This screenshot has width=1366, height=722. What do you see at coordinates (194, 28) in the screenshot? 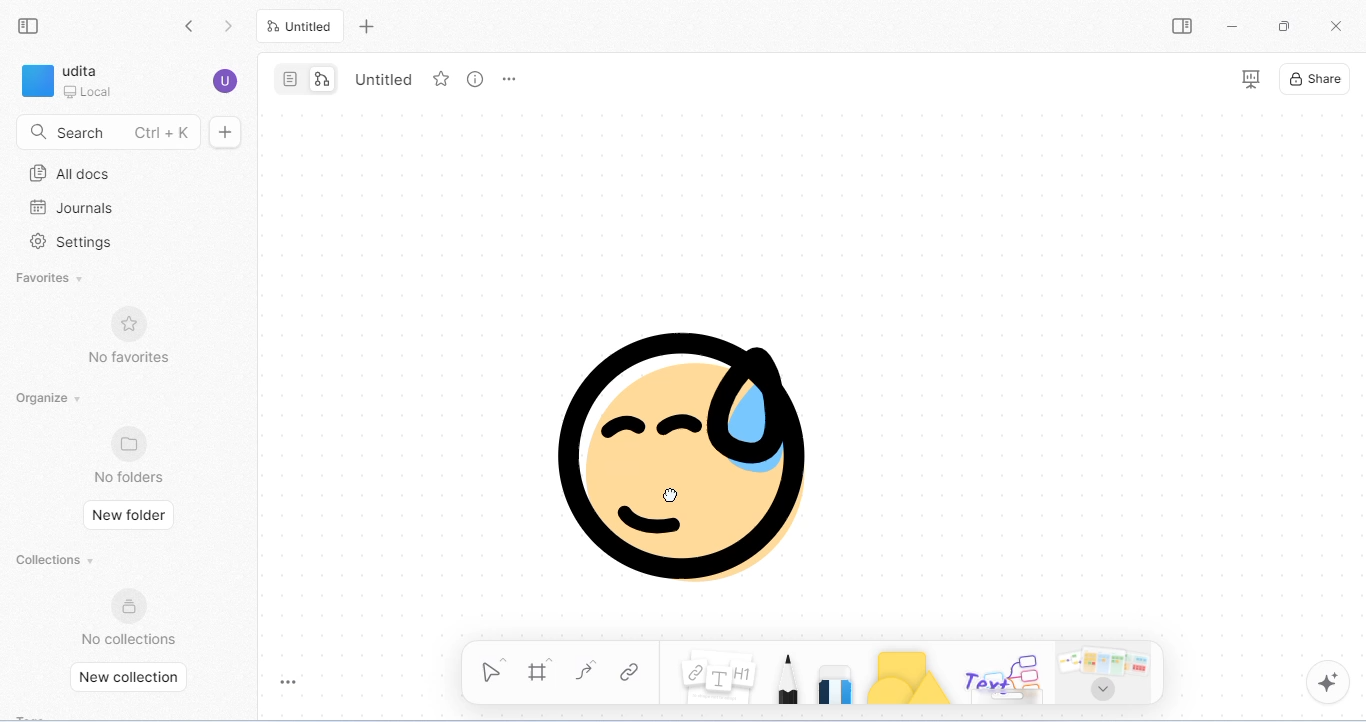
I see `go back` at bounding box center [194, 28].